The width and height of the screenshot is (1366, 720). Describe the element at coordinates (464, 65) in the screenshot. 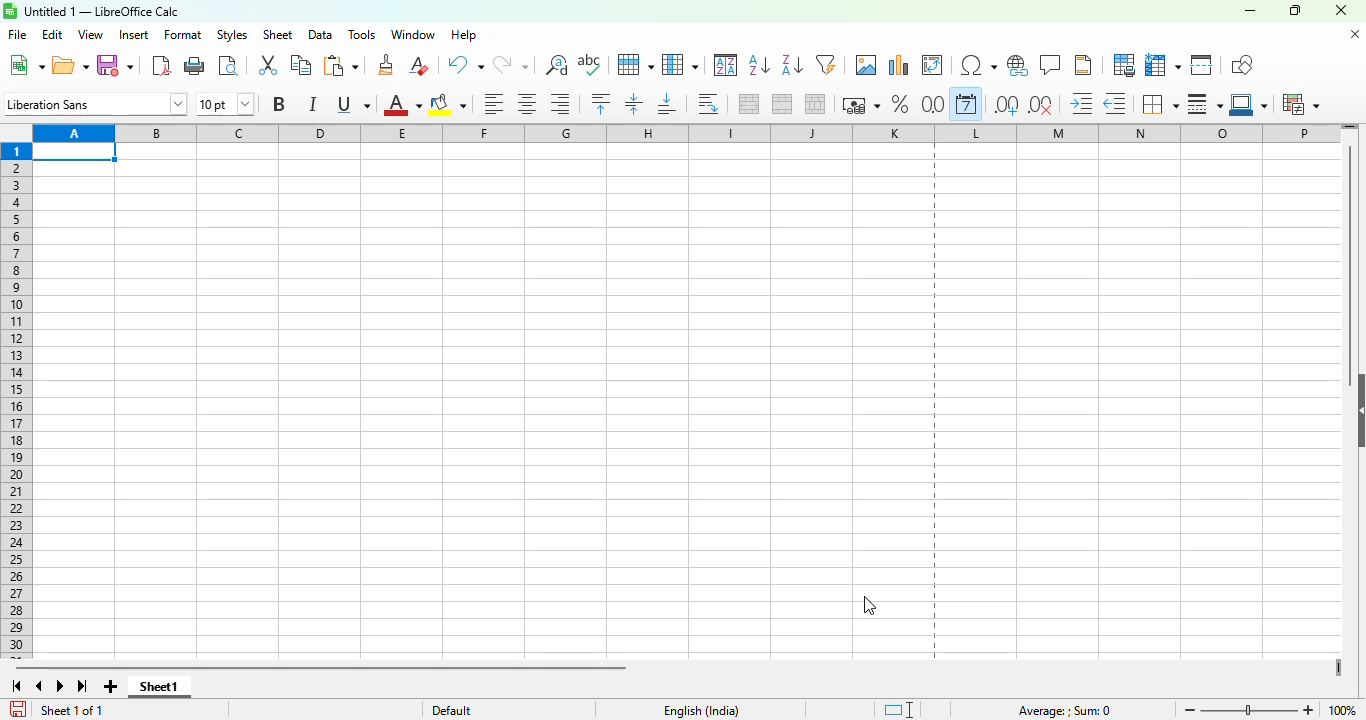

I see `undo` at that location.